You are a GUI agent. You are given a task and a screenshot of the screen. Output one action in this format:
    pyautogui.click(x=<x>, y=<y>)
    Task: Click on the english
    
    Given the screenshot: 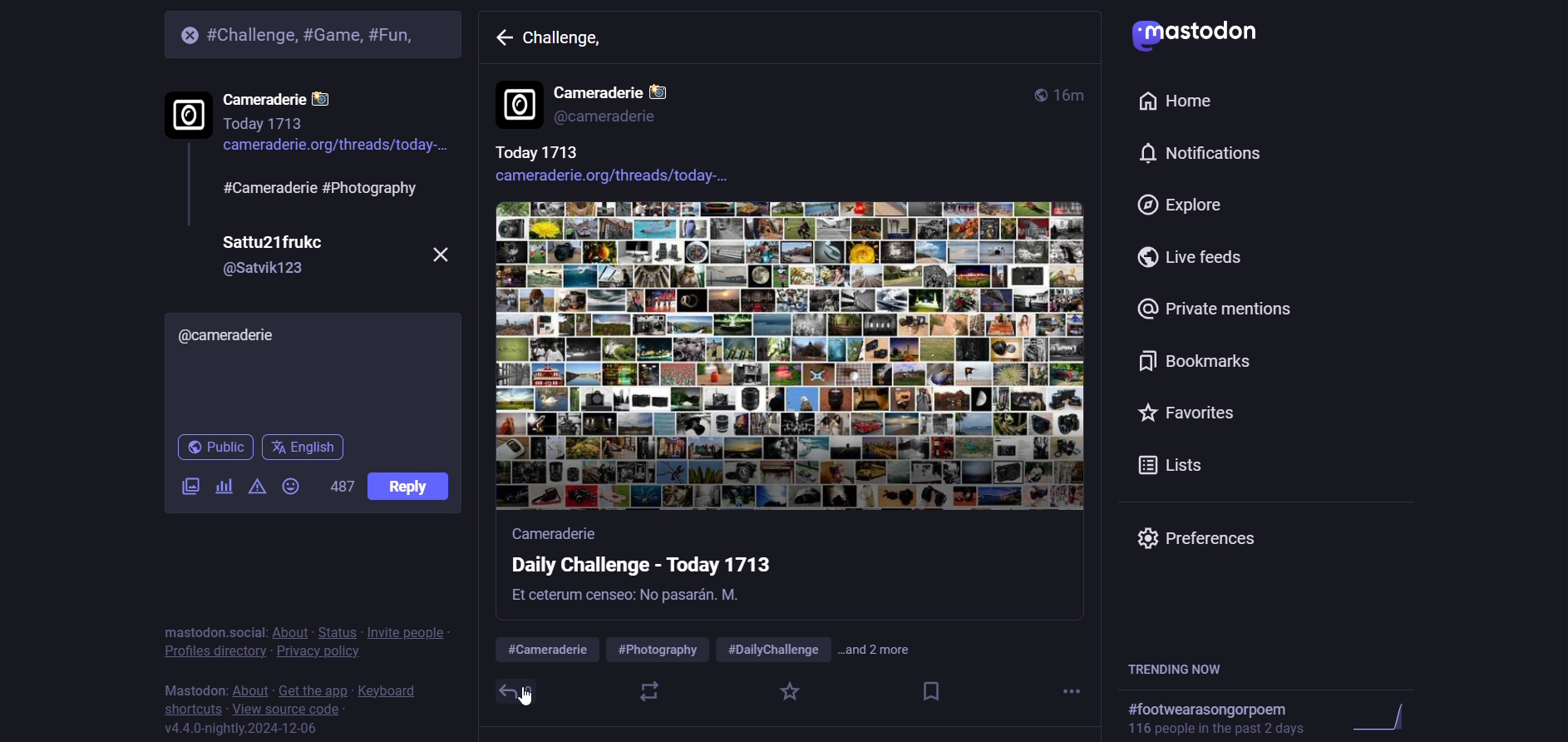 What is the action you would take?
    pyautogui.click(x=308, y=444)
    